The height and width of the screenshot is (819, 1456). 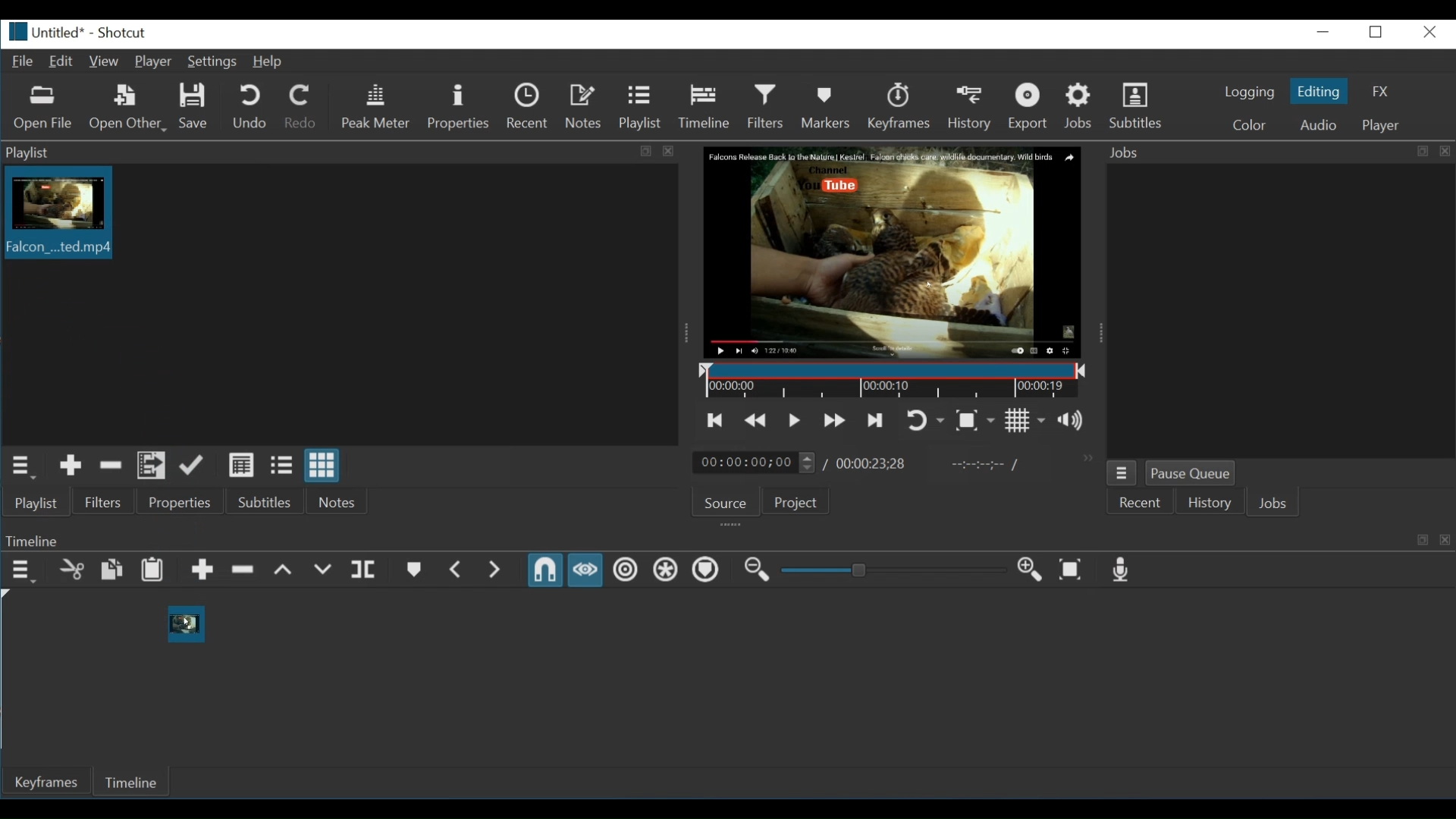 I want to click on Zoom Timeline to fit, so click(x=1071, y=569).